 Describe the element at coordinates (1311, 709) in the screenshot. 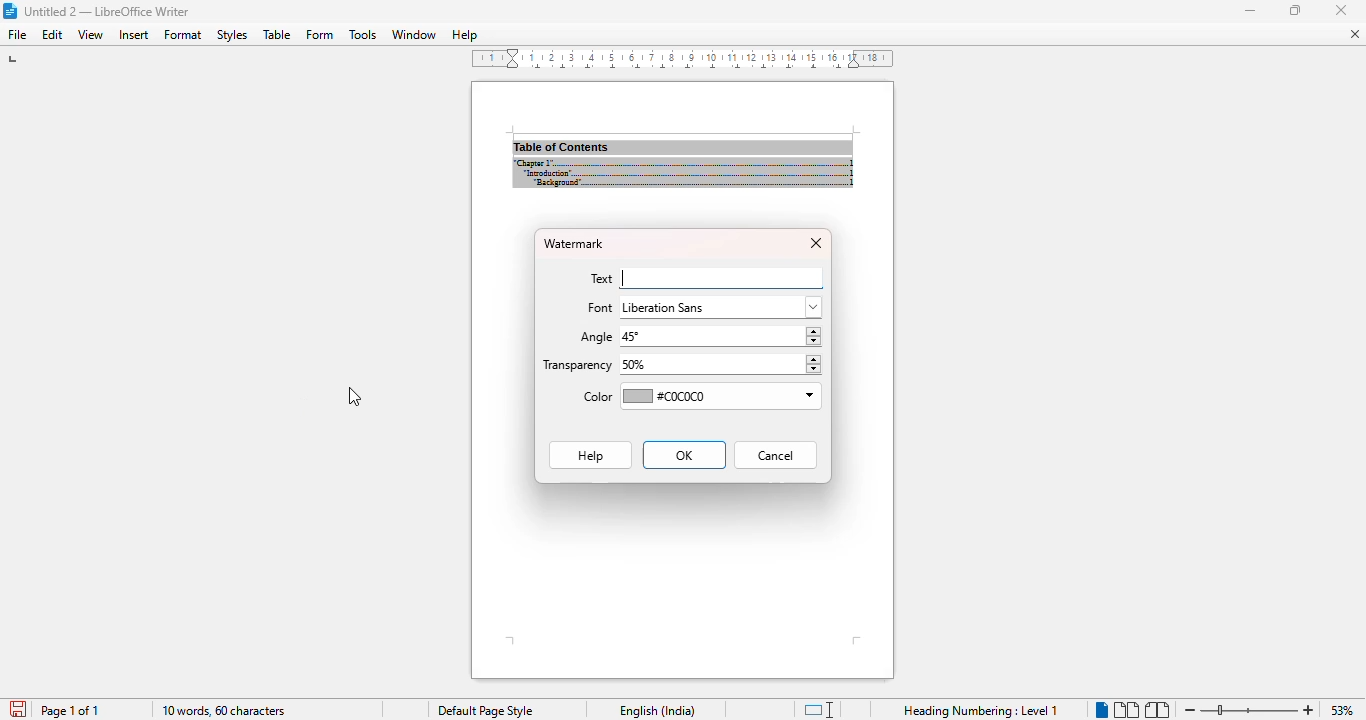

I see `zoom in` at that location.